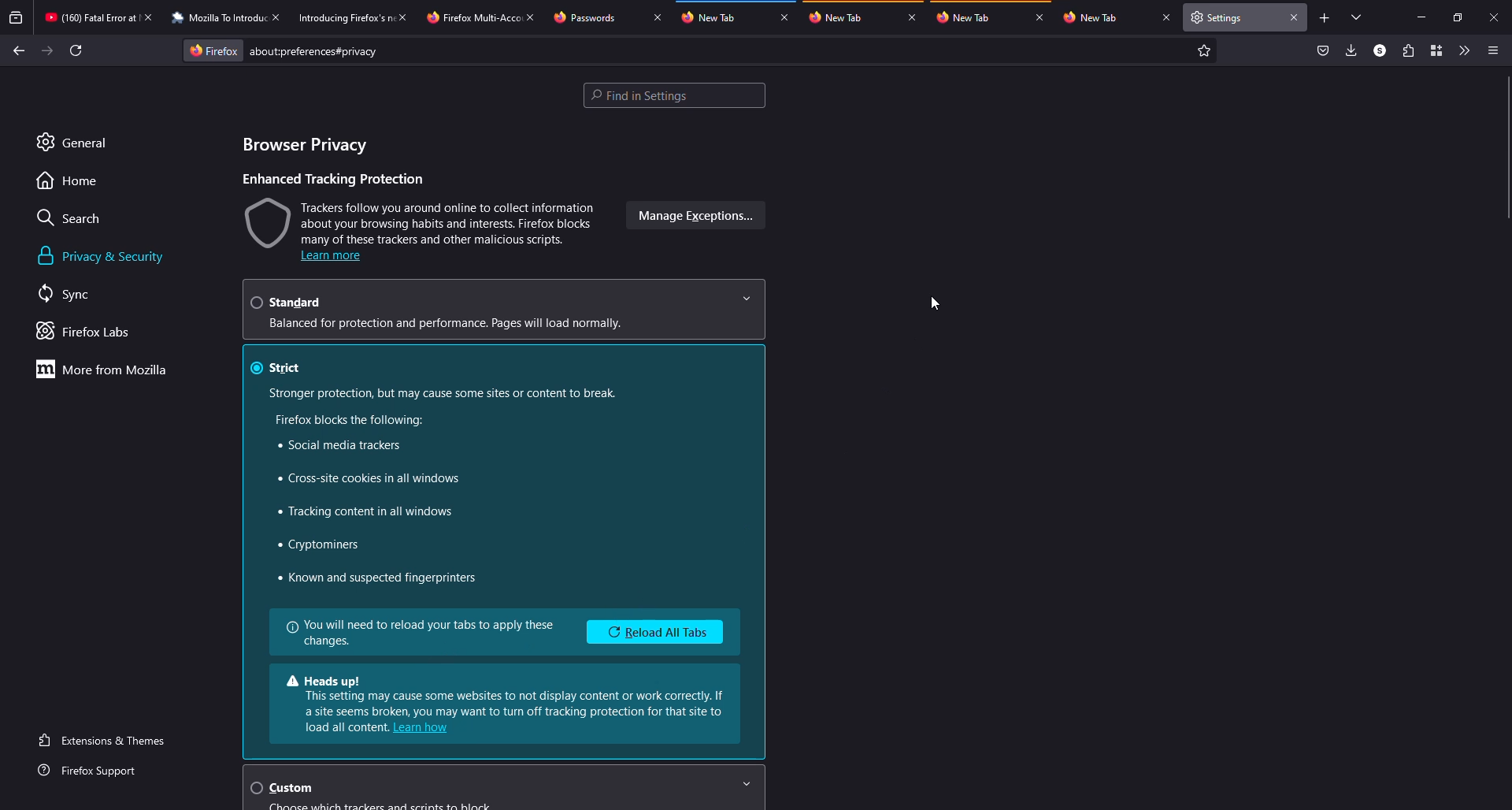 The width and height of the screenshot is (1512, 810). What do you see at coordinates (76, 50) in the screenshot?
I see `refresh` at bounding box center [76, 50].